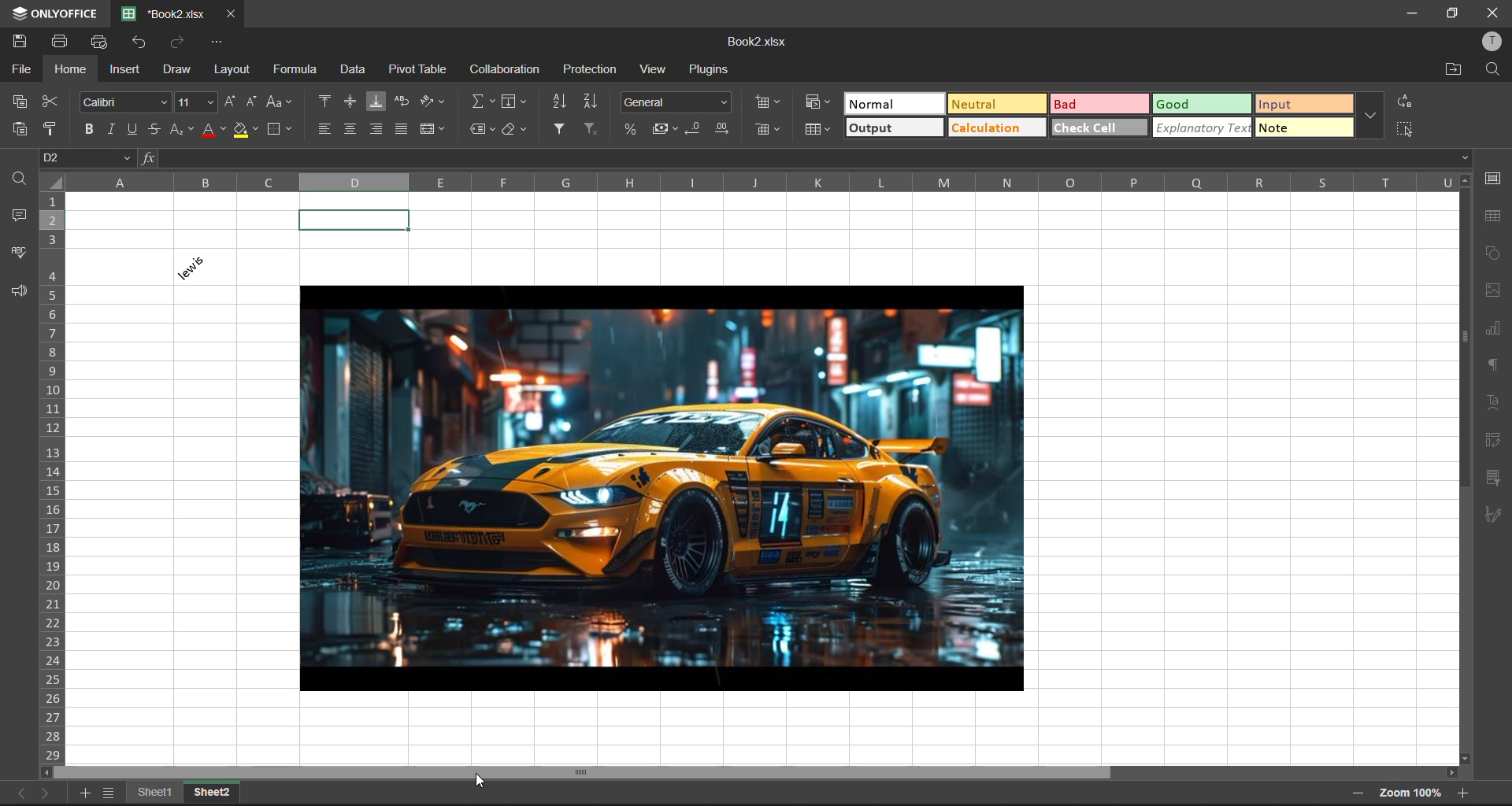  I want to click on cut, so click(49, 103).